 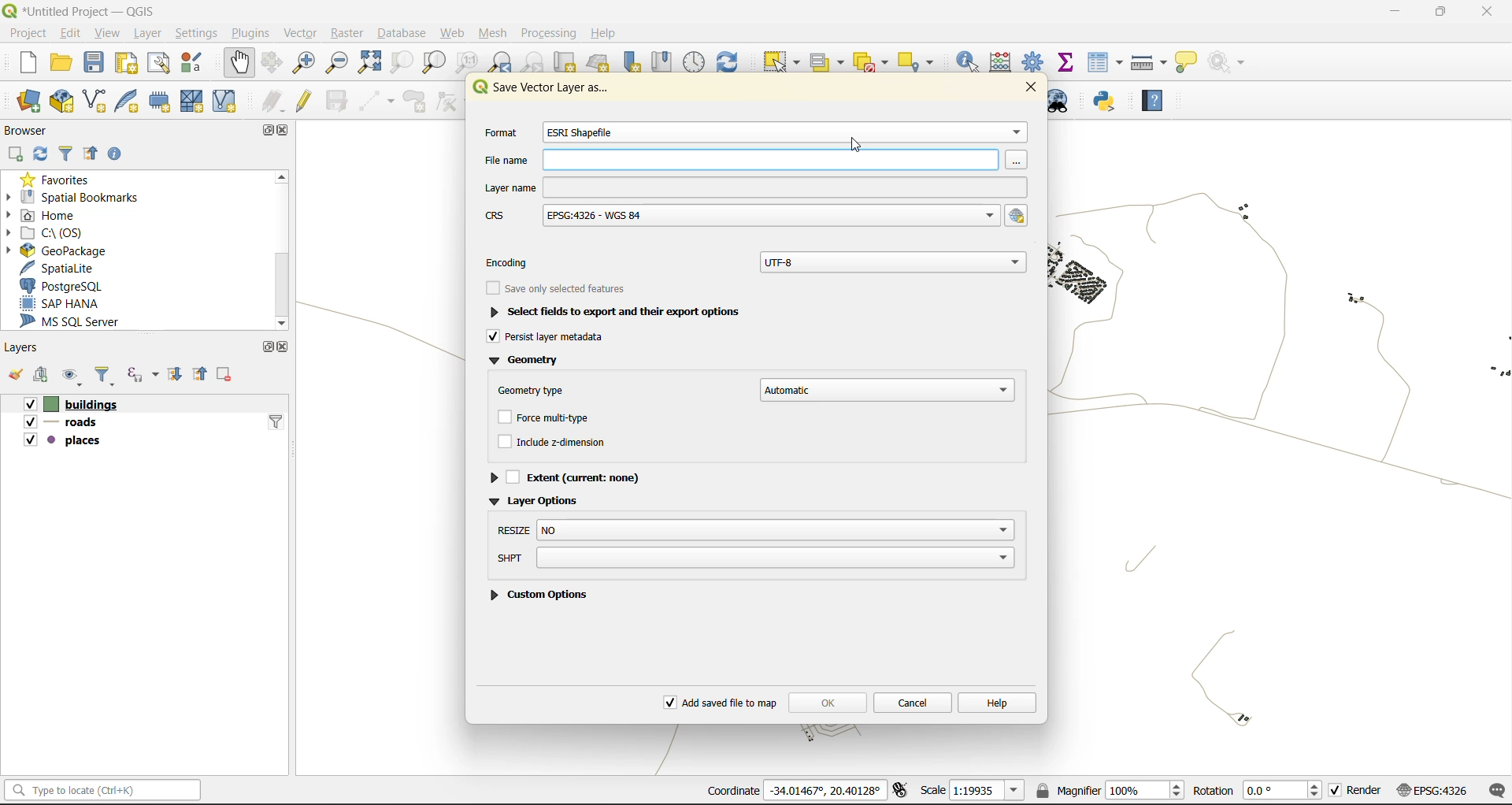 What do you see at coordinates (1185, 64) in the screenshot?
I see `show tips` at bounding box center [1185, 64].